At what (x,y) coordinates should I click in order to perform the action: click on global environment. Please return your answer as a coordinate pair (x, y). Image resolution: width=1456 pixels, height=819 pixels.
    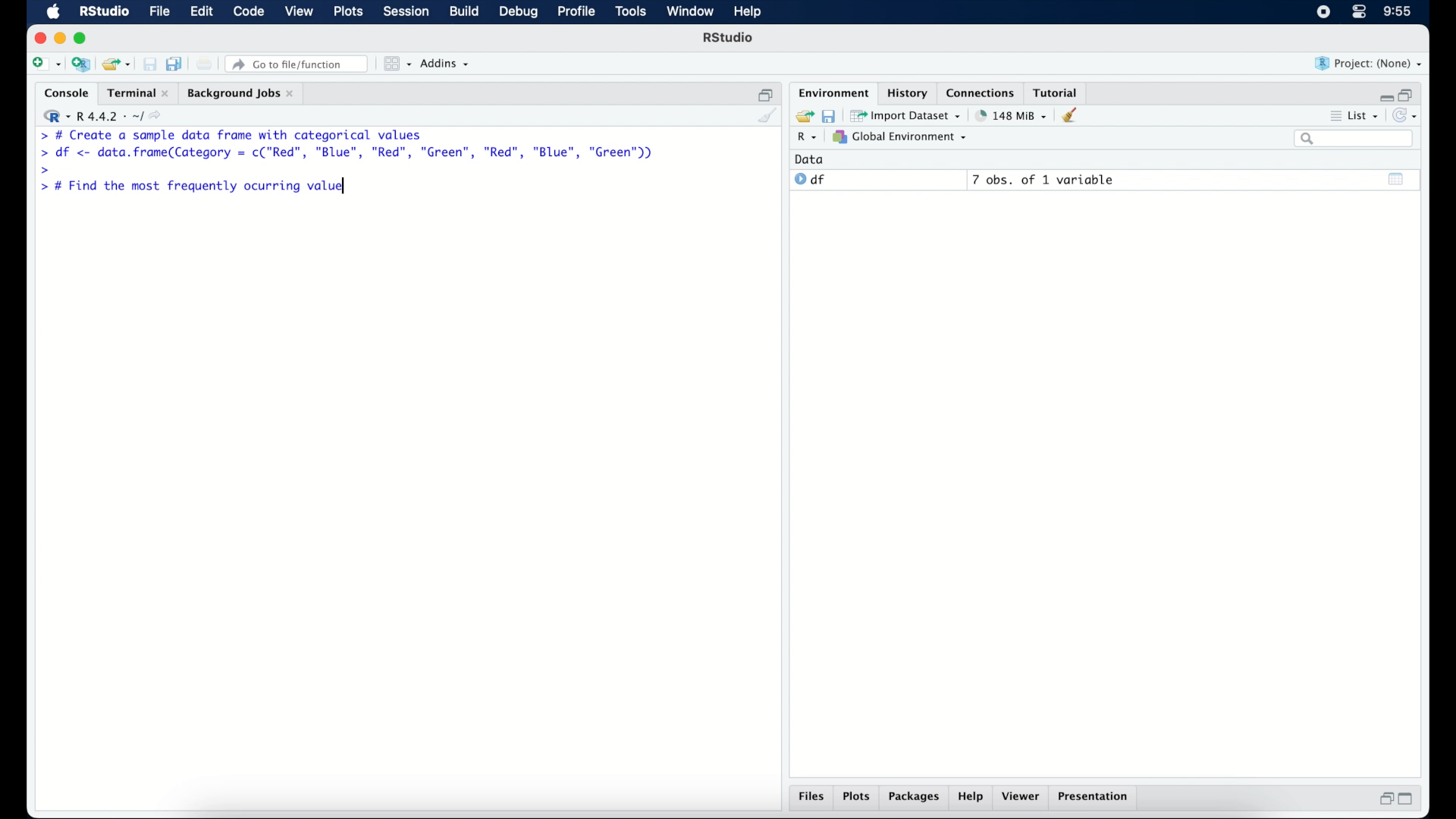
    Looking at the image, I should click on (905, 137).